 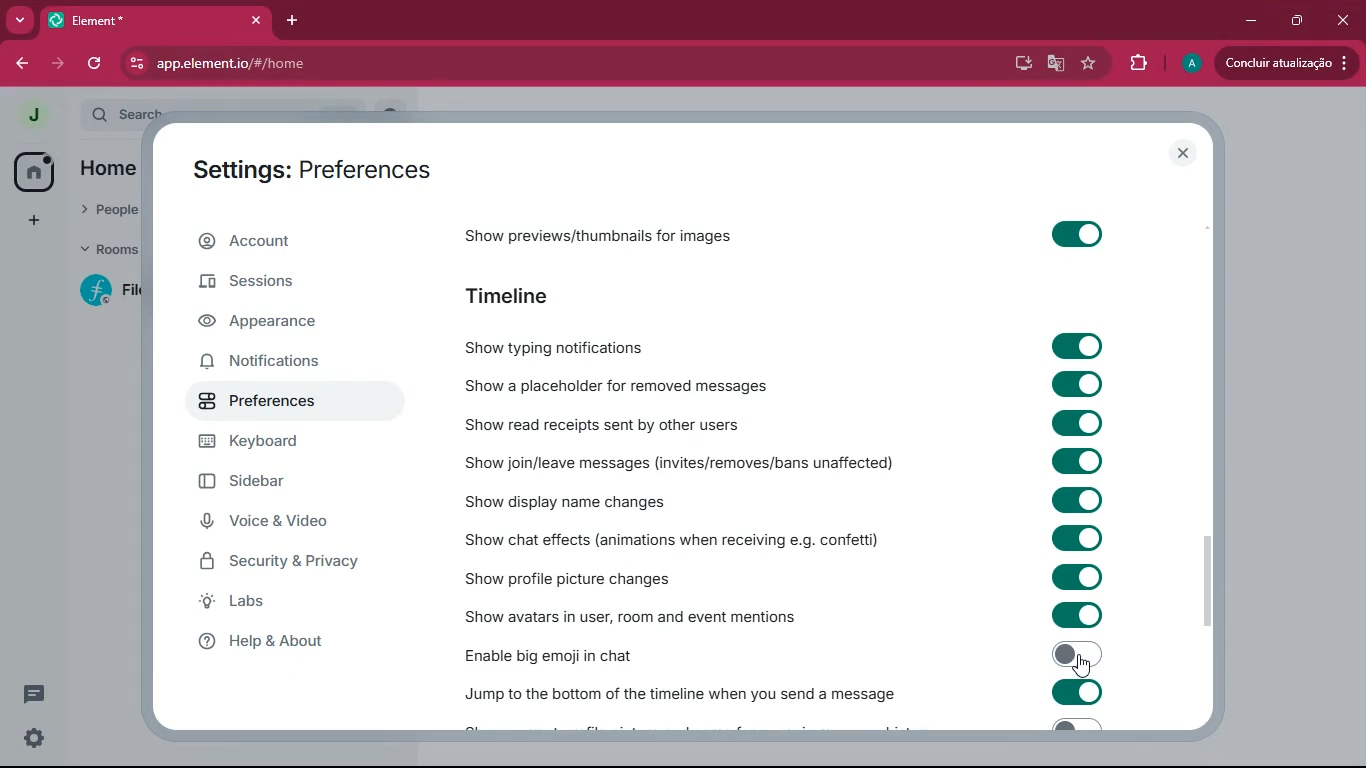 I want to click on a, so click(x=1191, y=63).